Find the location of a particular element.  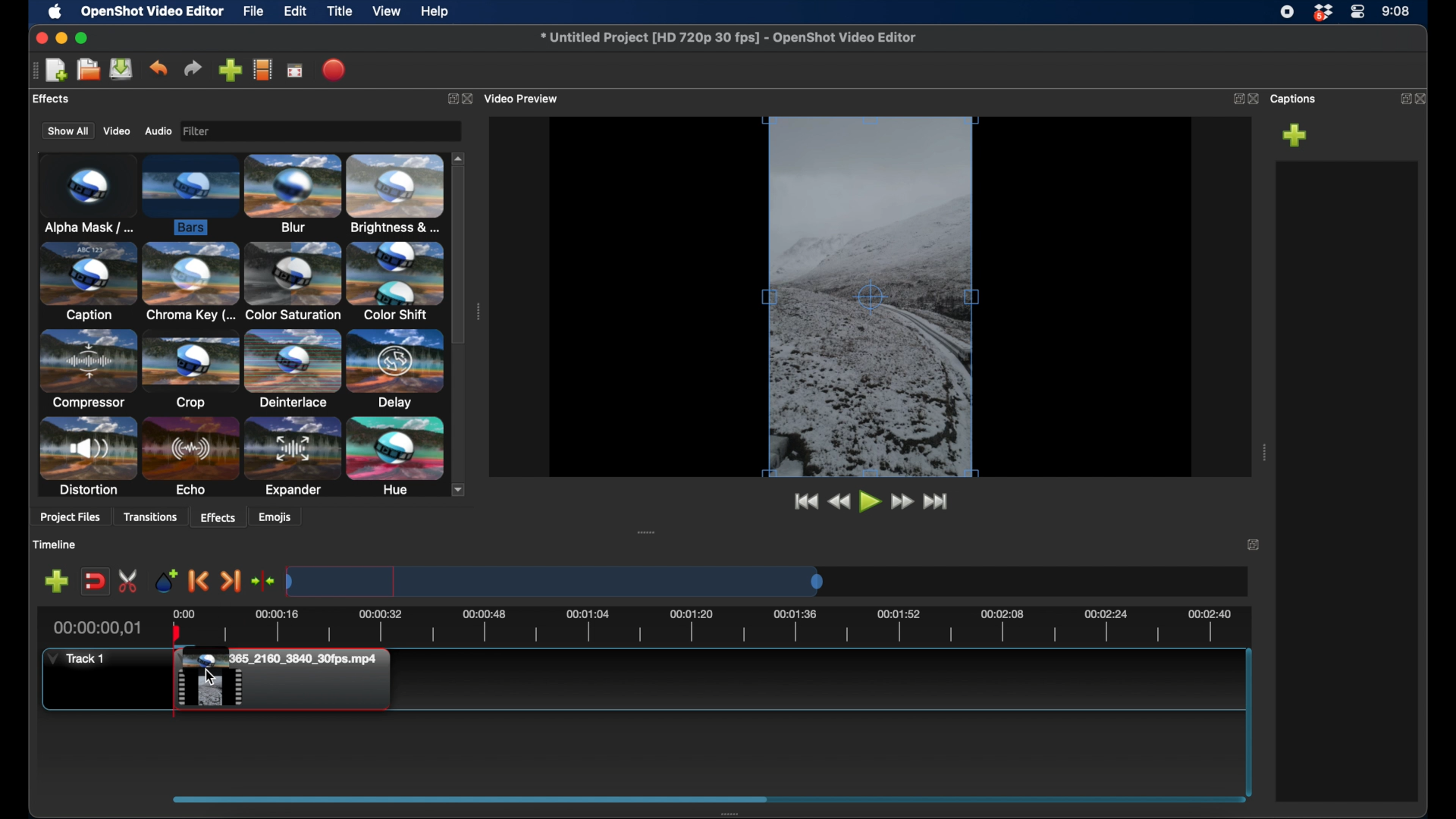

timeline is located at coordinates (726, 626).